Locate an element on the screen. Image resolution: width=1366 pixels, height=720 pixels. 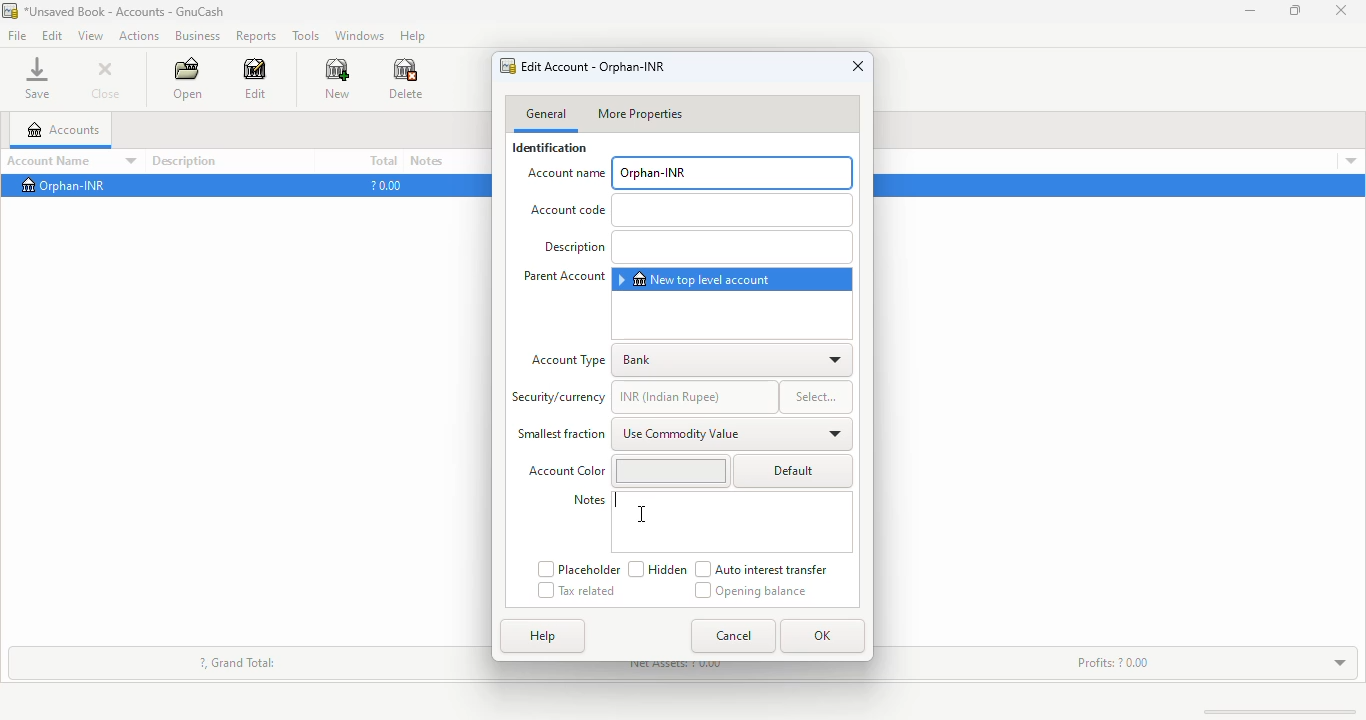
auto interest transfer is located at coordinates (762, 569).